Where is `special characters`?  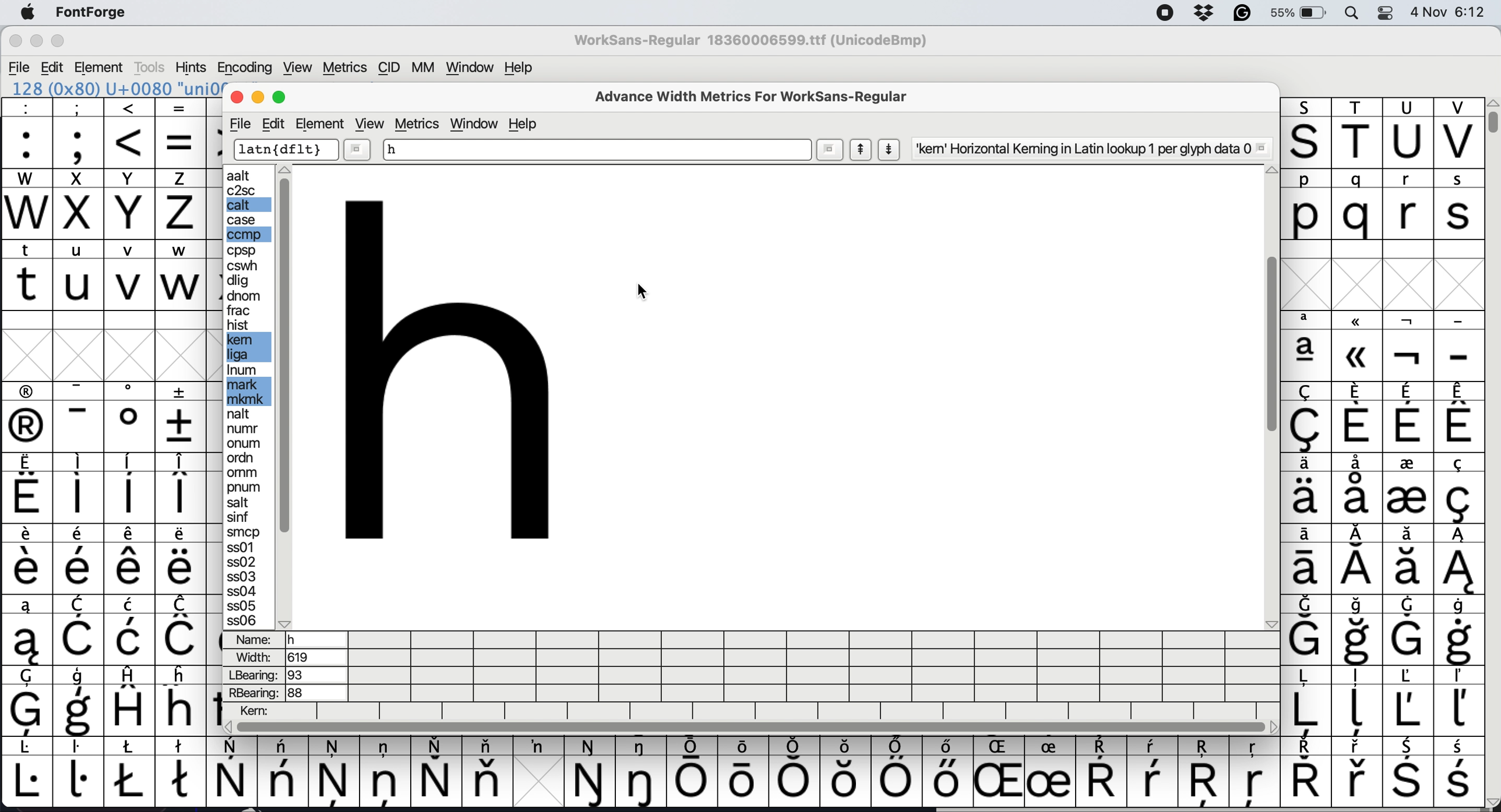 special characters is located at coordinates (1385, 464).